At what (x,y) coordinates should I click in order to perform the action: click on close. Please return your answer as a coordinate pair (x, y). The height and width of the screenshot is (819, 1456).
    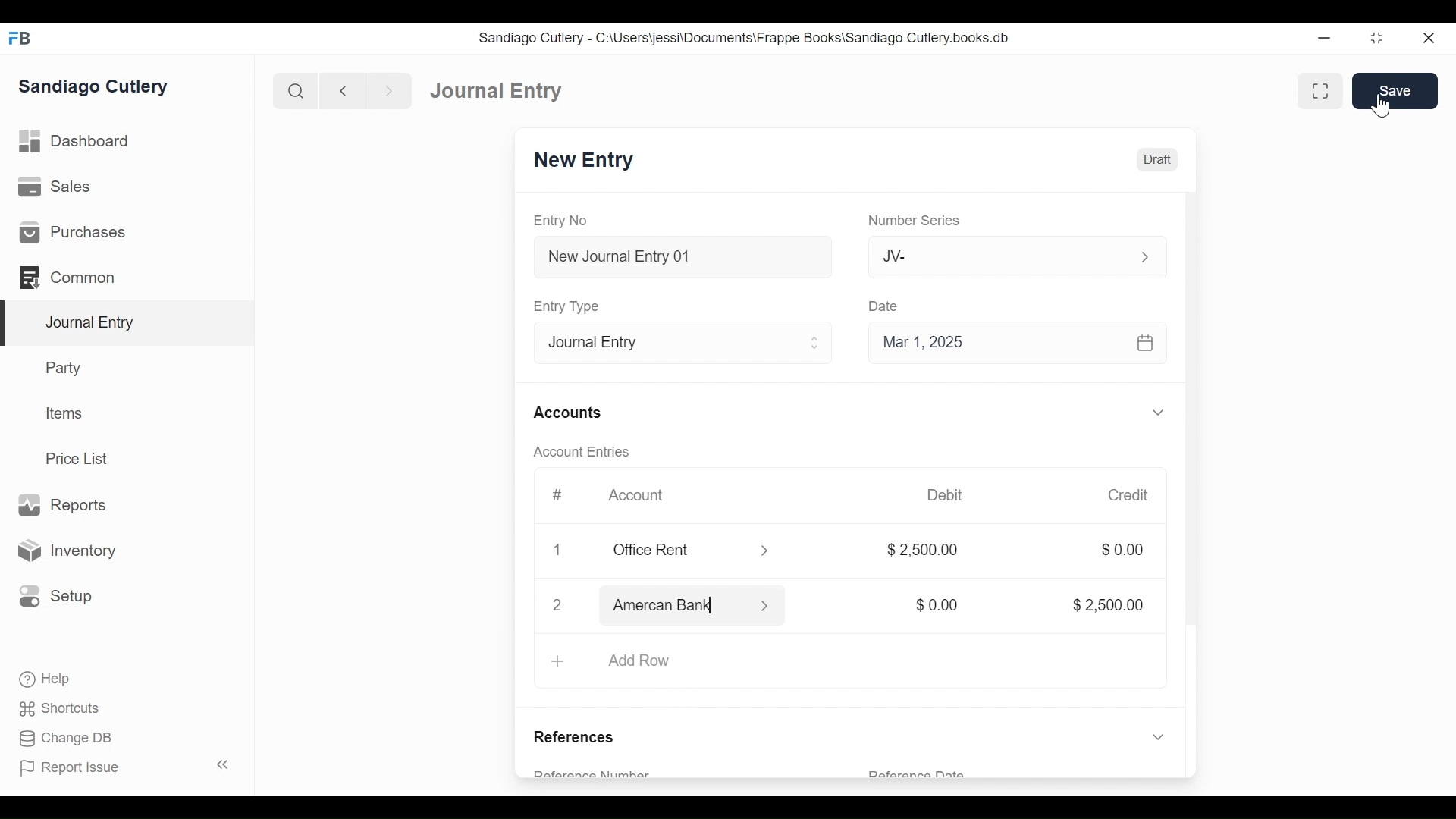
    Looking at the image, I should click on (1434, 36).